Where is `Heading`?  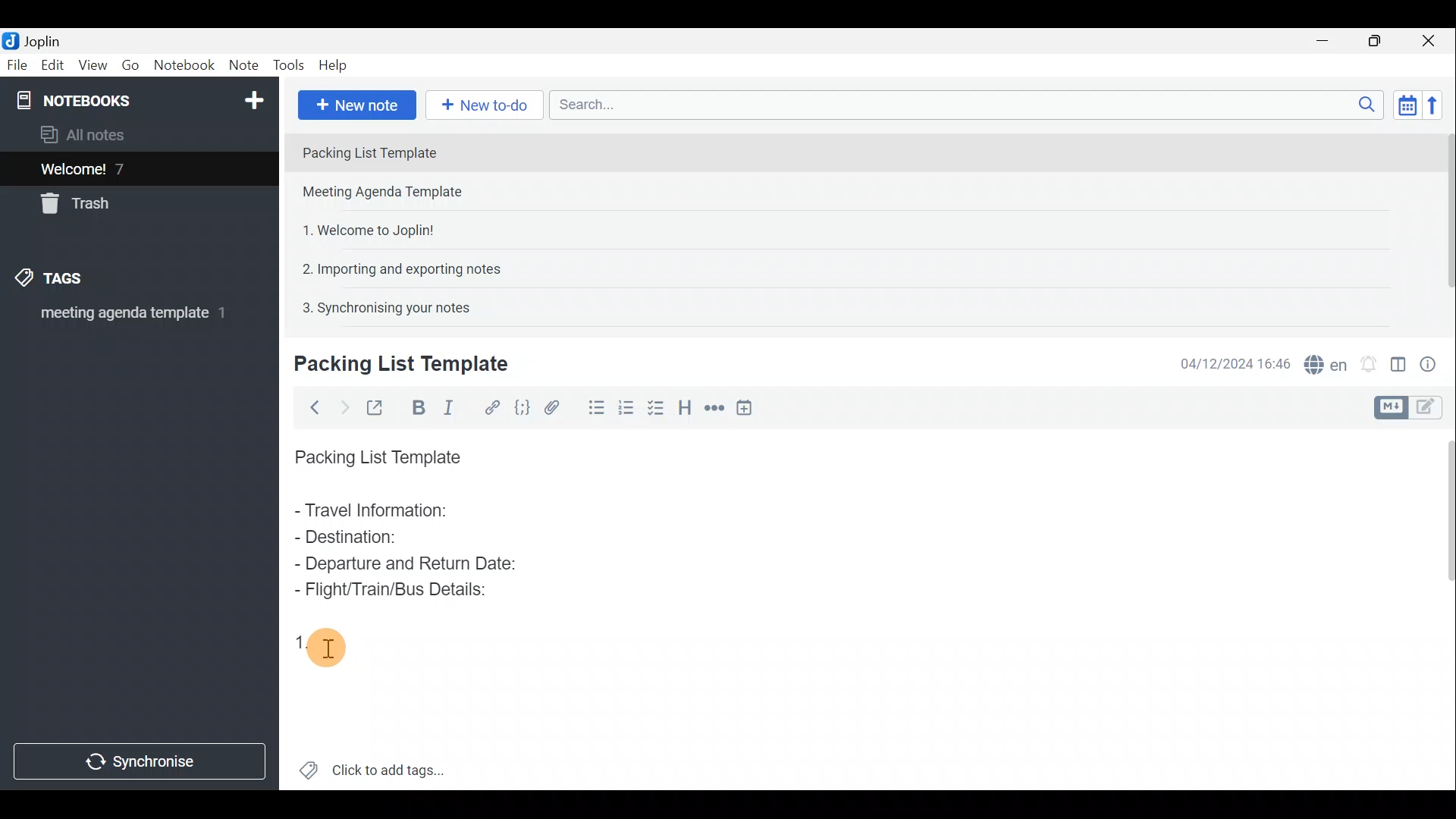
Heading is located at coordinates (686, 406).